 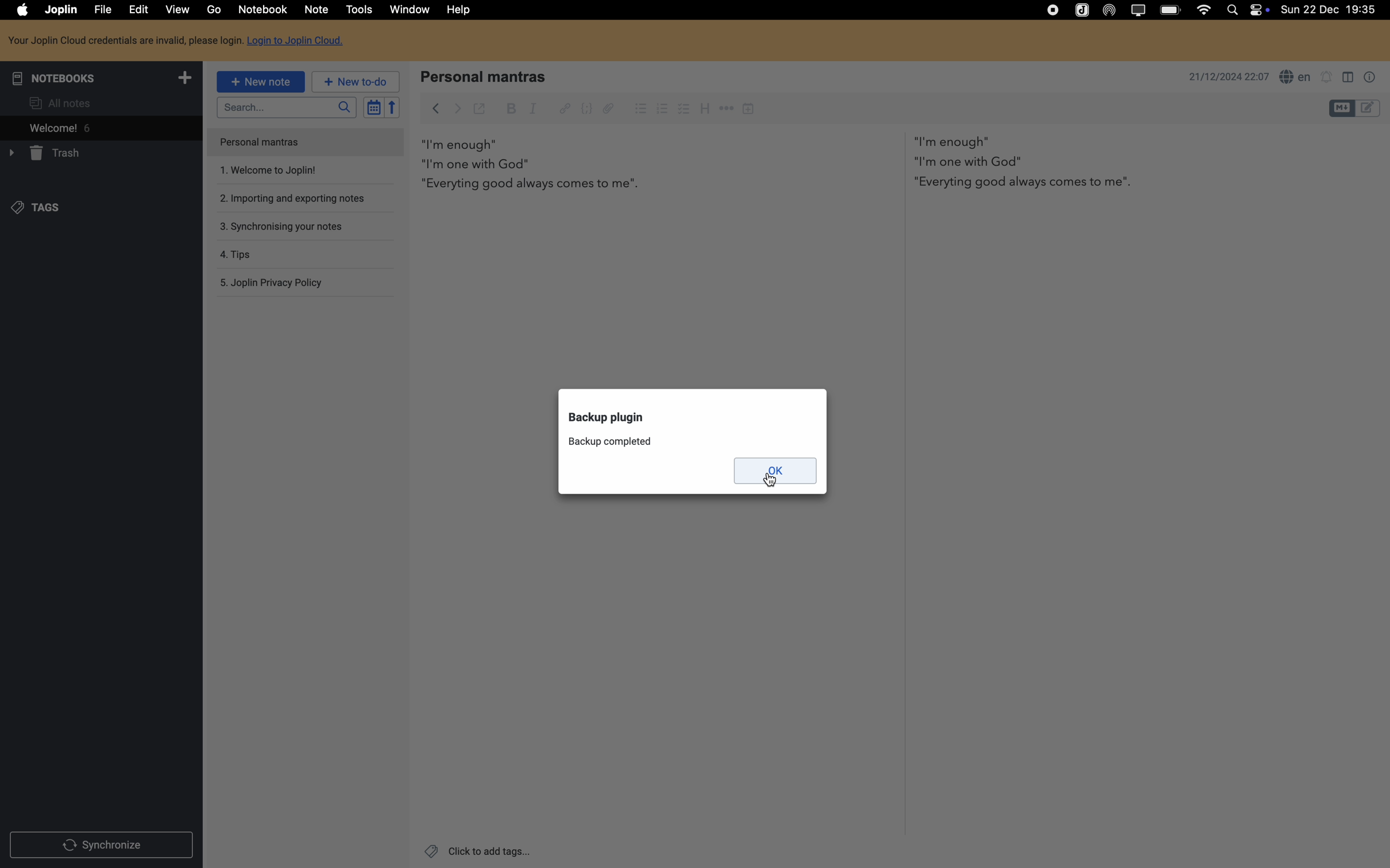 What do you see at coordinates (314, 10) in the screenshot?
I see `note` at bounding box center [314, 10].